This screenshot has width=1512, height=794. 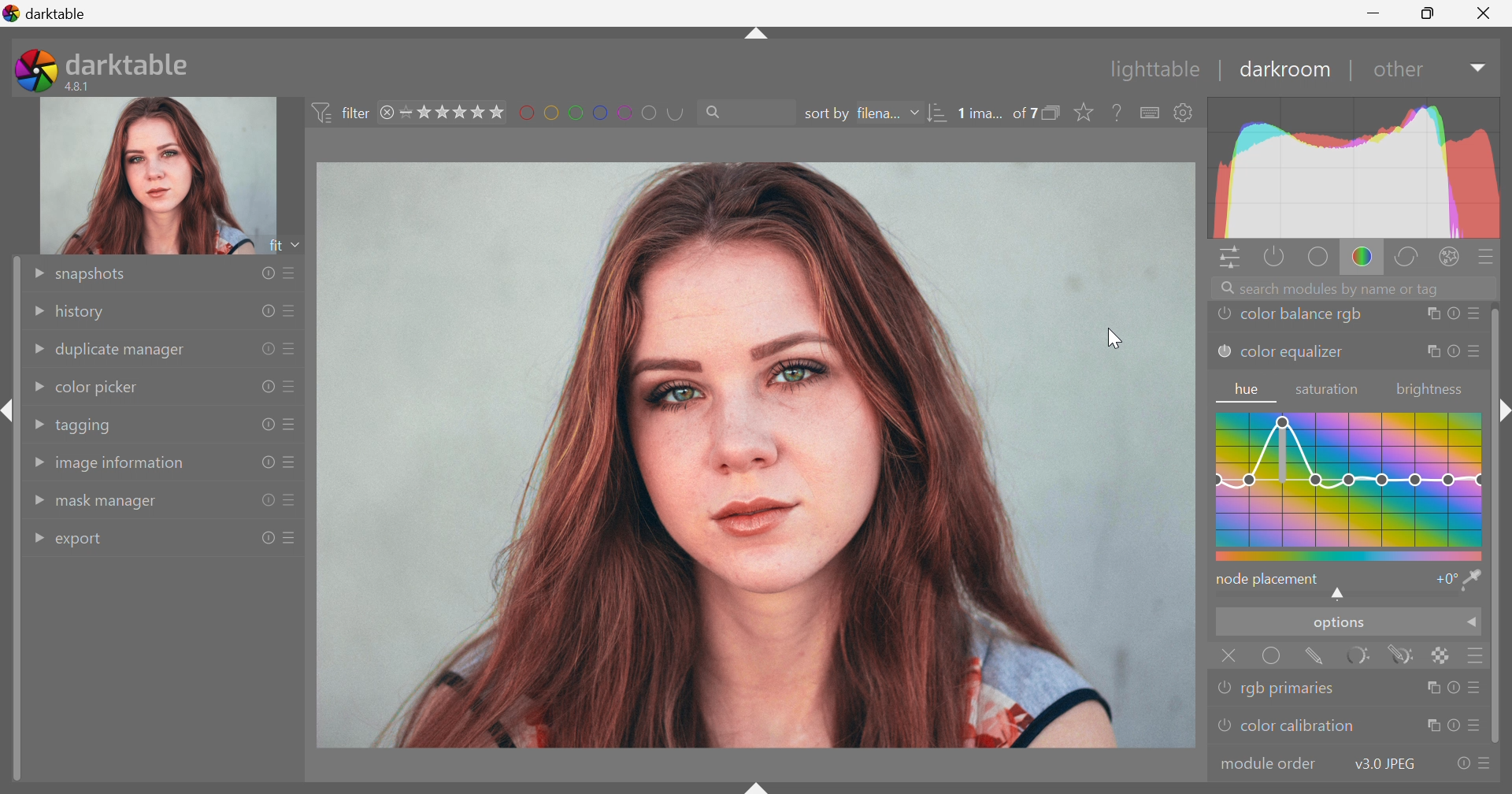 What do you see at coordinates (1478, 688) in the screenshot?
I see `presets` at bounding box center [1478, 688].